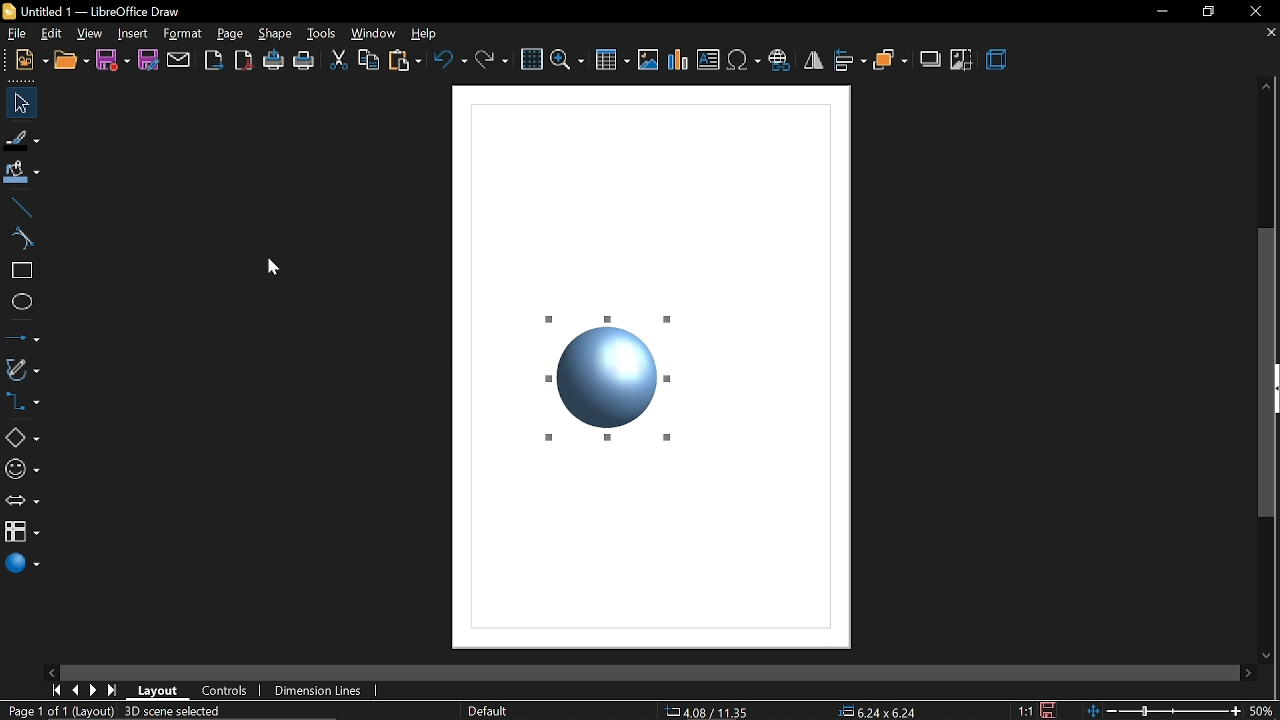 The image size is (1280, 720). What do you see at coordinates (612, 61) in the screenshot?
I see `insert table` at bounding box center [612, 61].